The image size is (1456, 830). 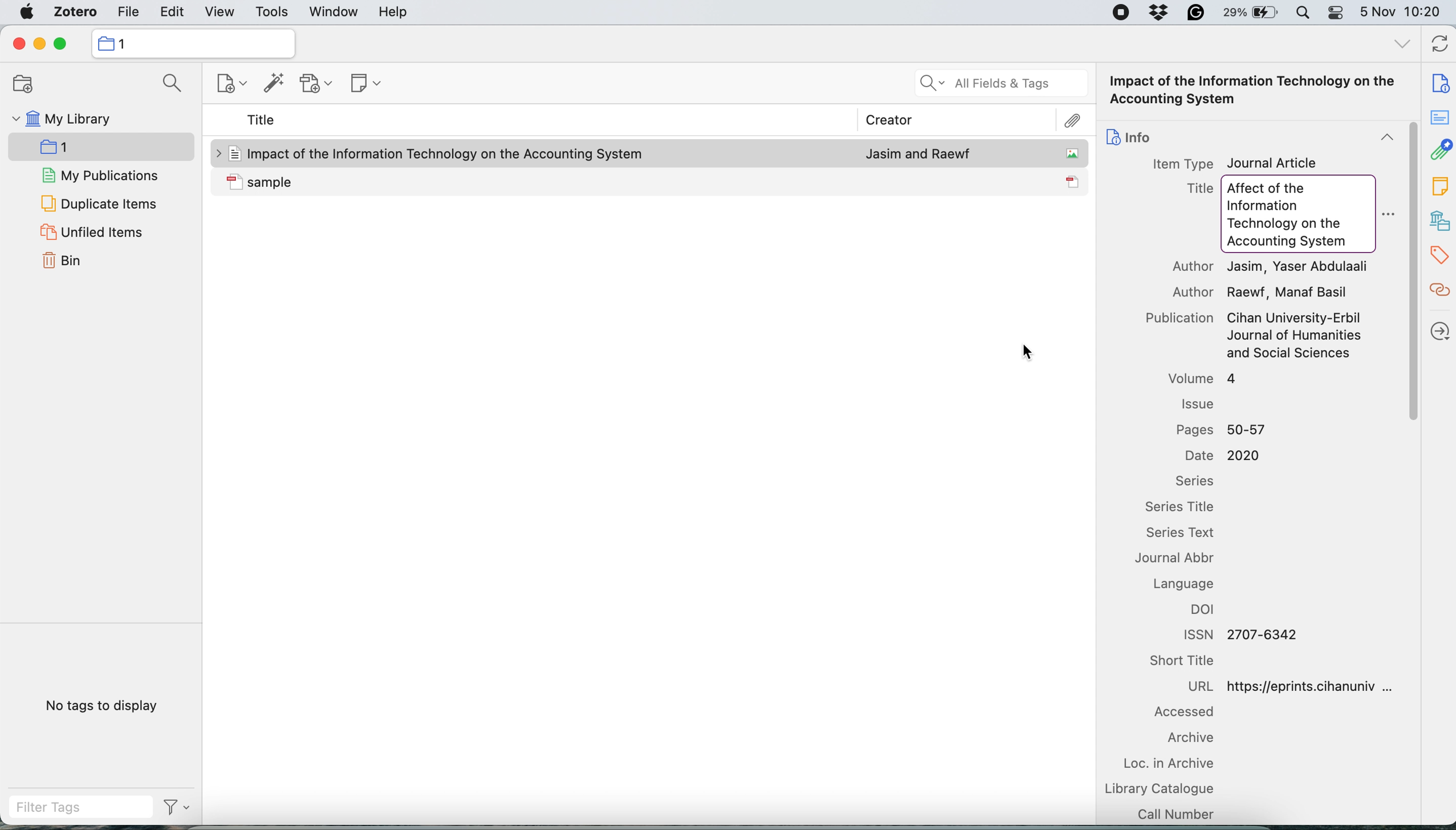 What do you see at coordinates (1260, 292) in the screenshot?
I see `Author Raewf, Manaf Basil` at bounding box center [1260, 292].